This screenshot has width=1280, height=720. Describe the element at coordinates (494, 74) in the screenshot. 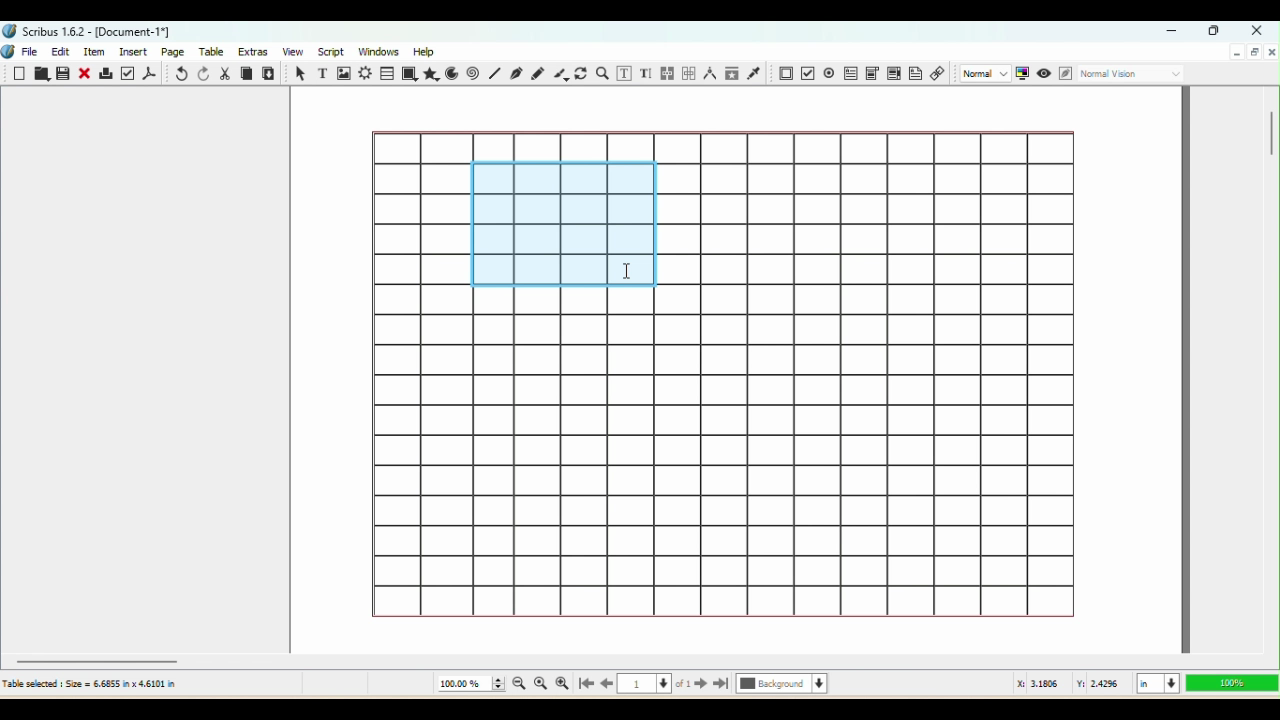

I see `Line` at that location.